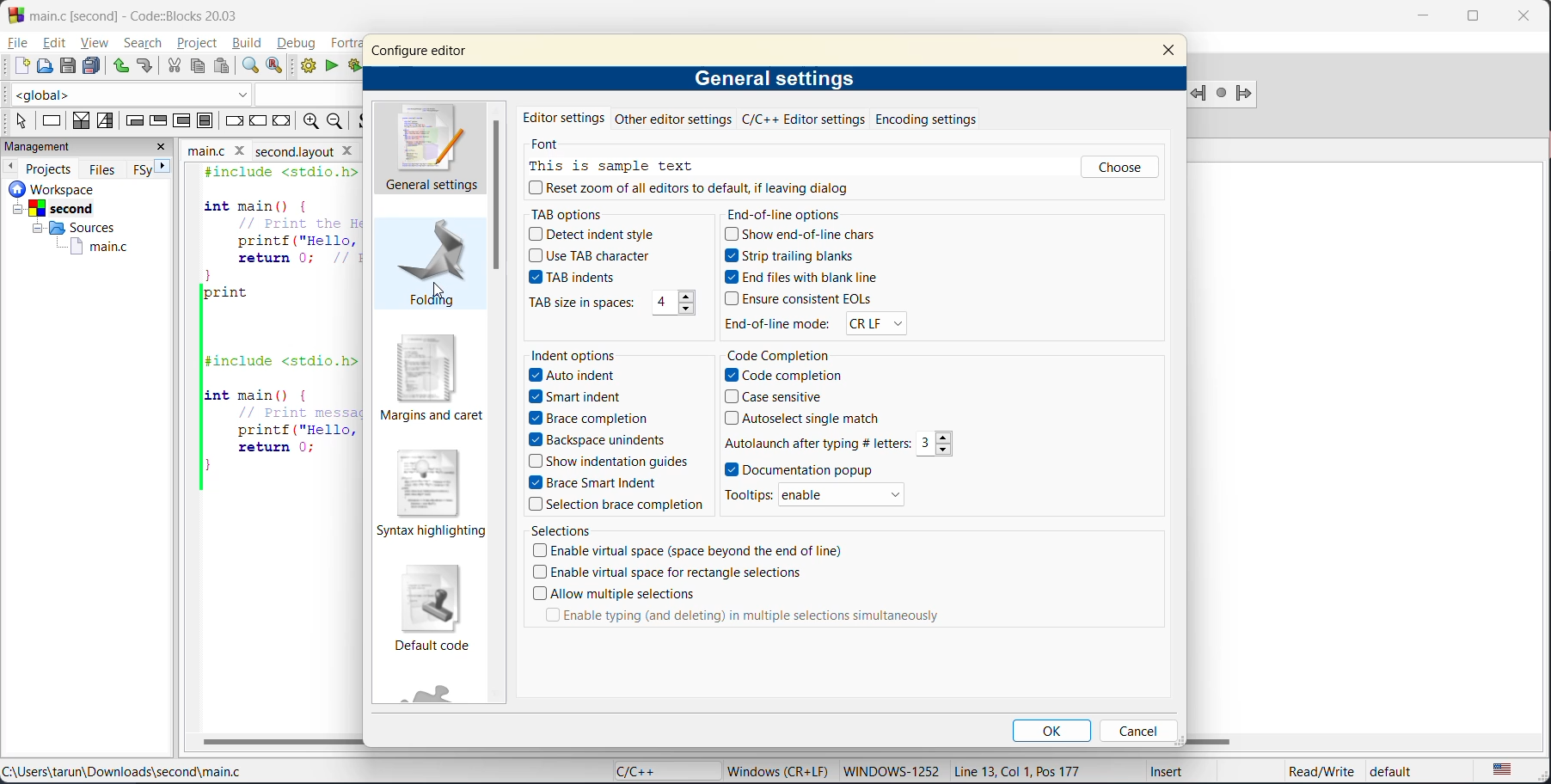 The image size is (1551, 784). I want to click on Enable virtual space (space beyond the end of line), so click(688, 552).